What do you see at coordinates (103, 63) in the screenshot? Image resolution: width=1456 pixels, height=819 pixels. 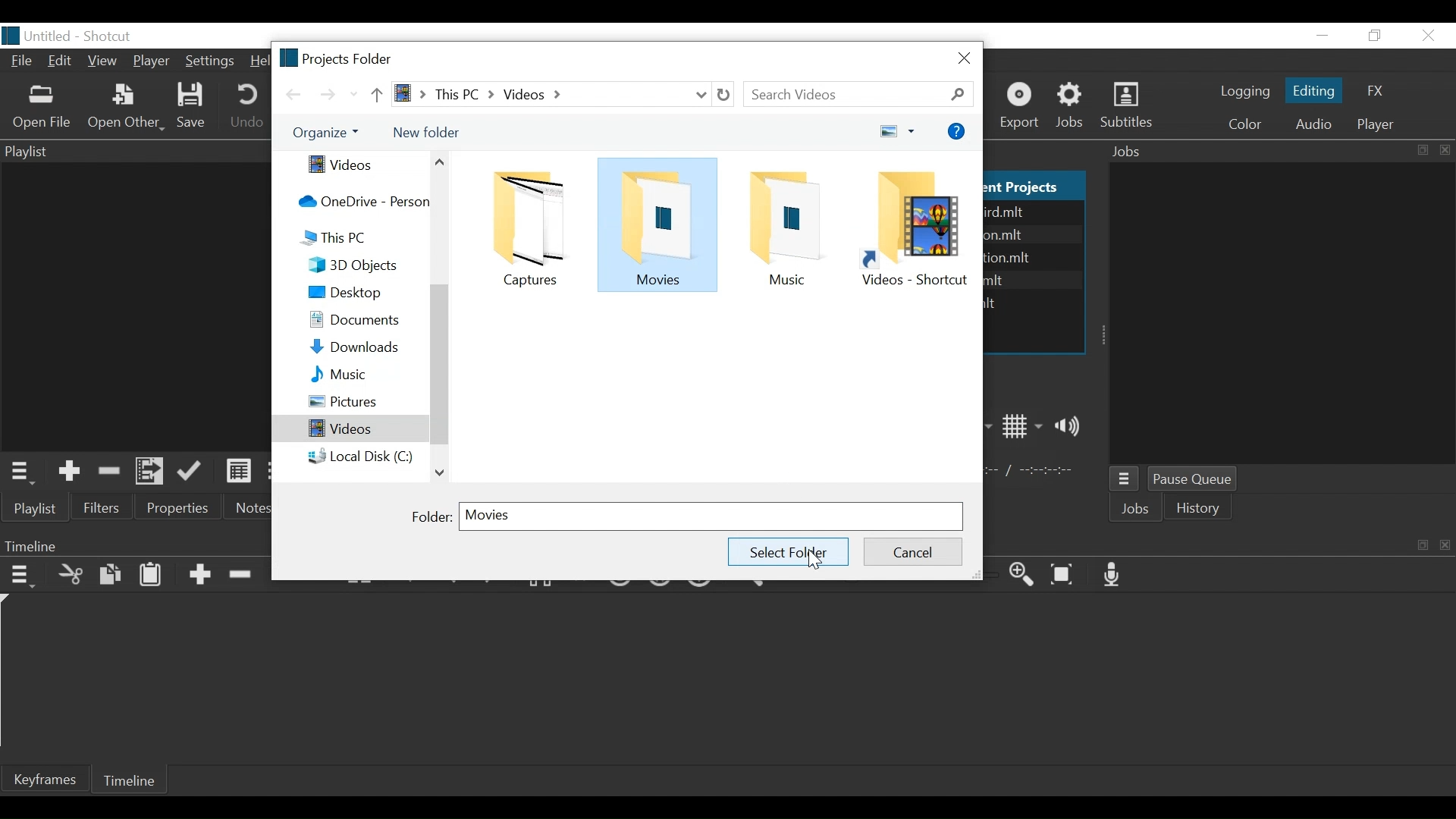 I see `View` at bounding box center [103, 63].